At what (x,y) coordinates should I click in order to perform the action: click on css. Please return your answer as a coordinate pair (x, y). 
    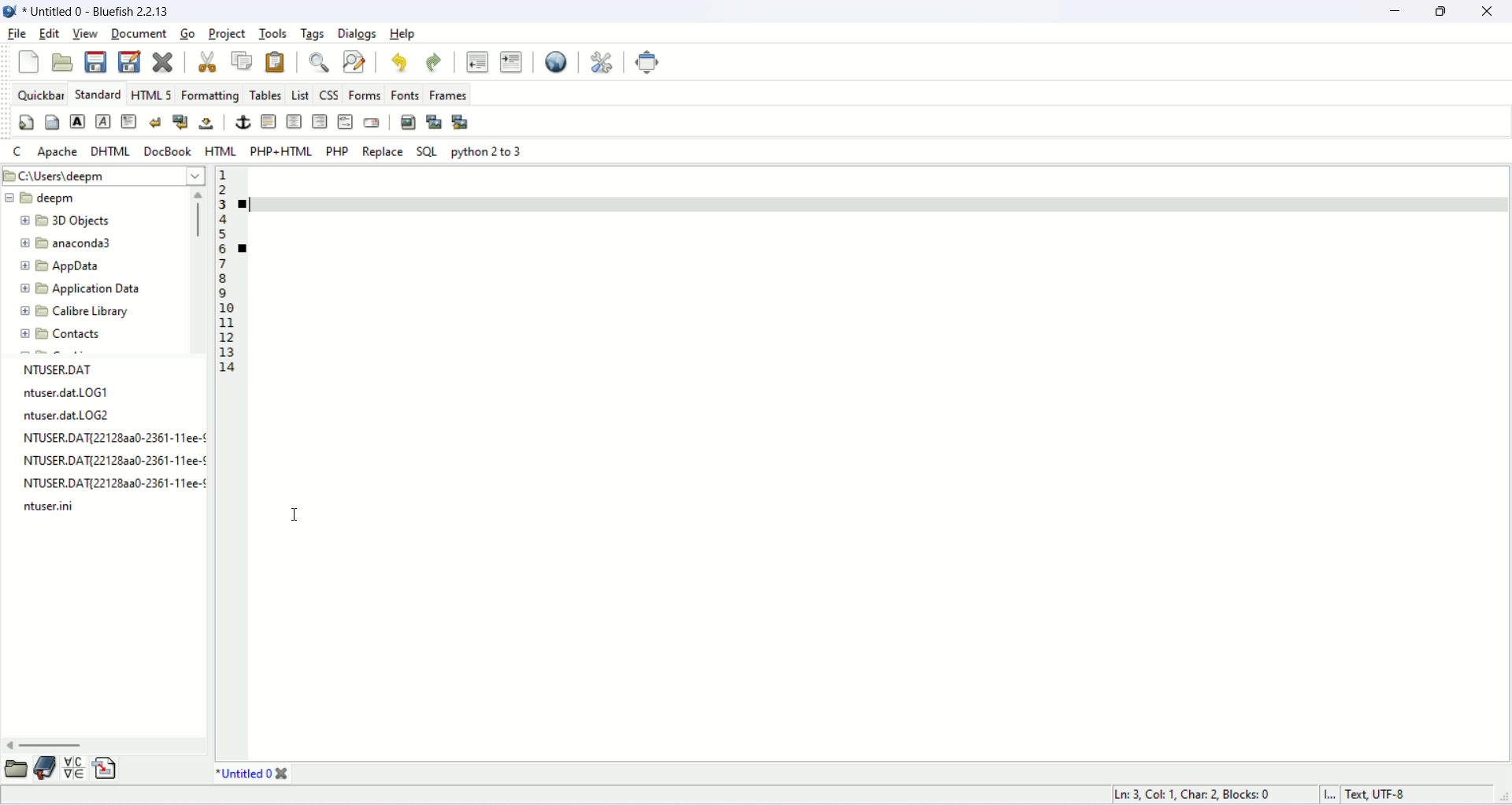
    Looking at the image, I should click on (328, 95).